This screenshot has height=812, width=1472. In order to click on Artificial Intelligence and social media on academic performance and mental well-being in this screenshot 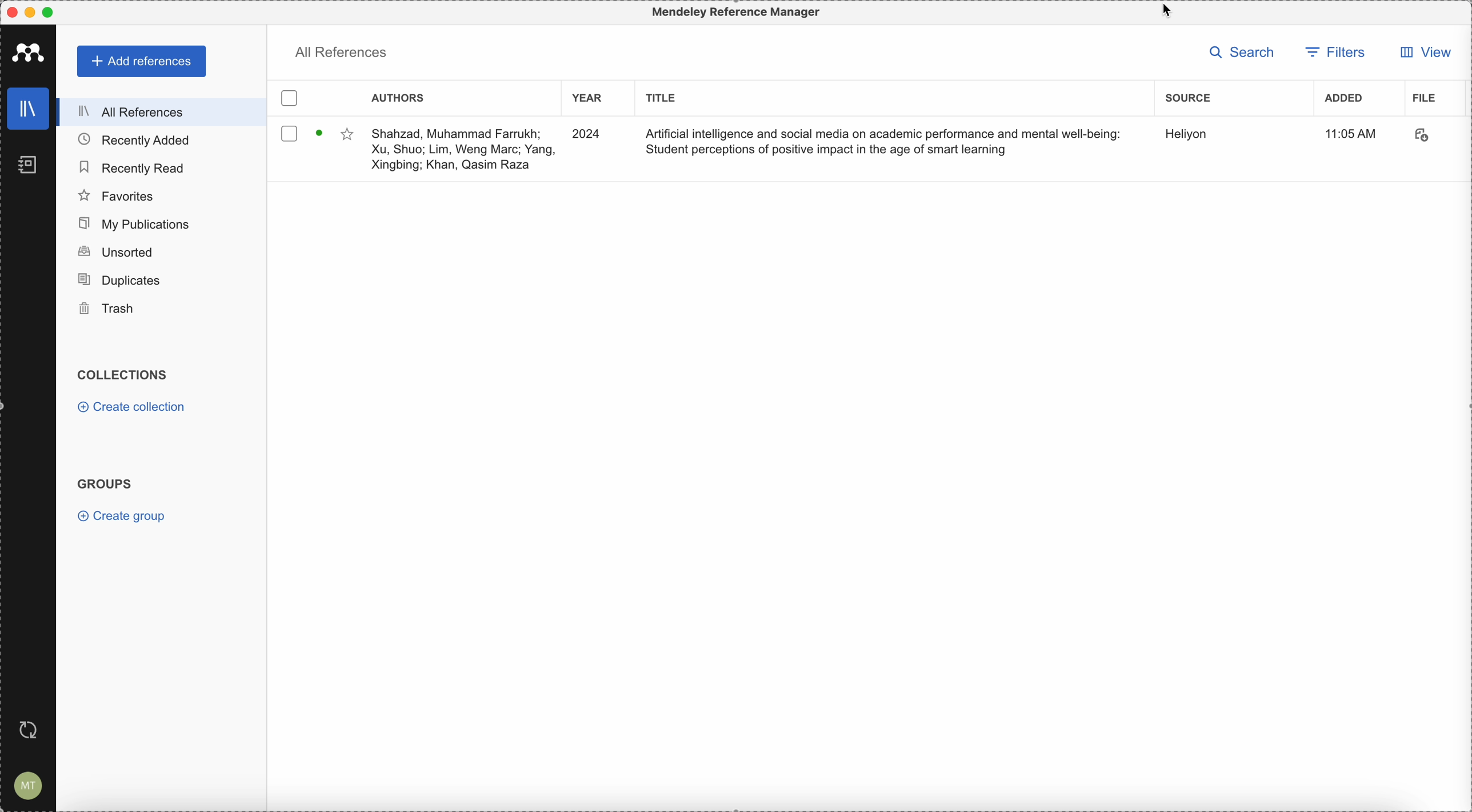, I will do `click(897, 142)`.